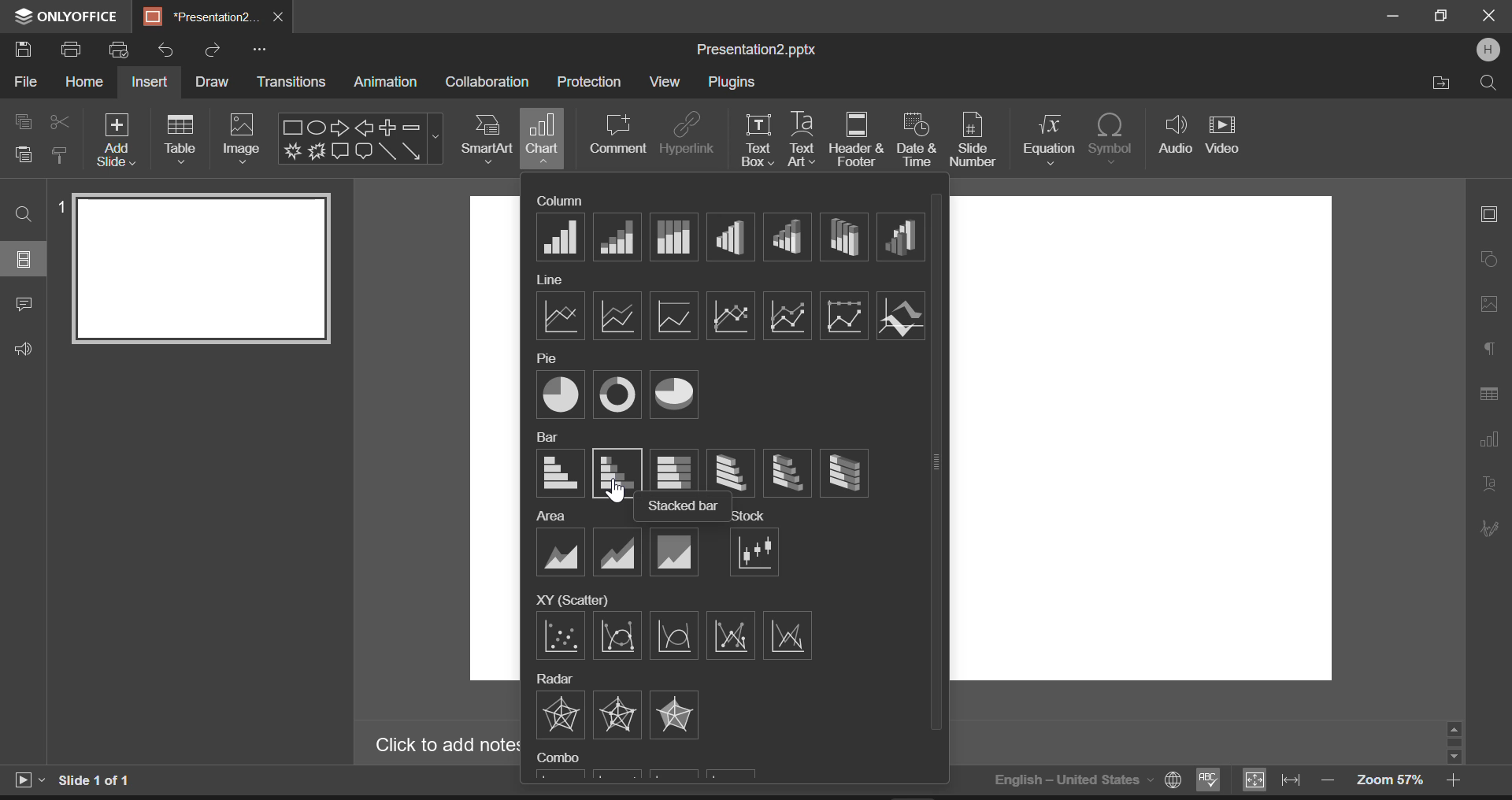 The image size is (1512, 800). What do you see at coordinates (1173, 133) in the screenshot?
I see `Audio` at bounding box center [1173, 133].